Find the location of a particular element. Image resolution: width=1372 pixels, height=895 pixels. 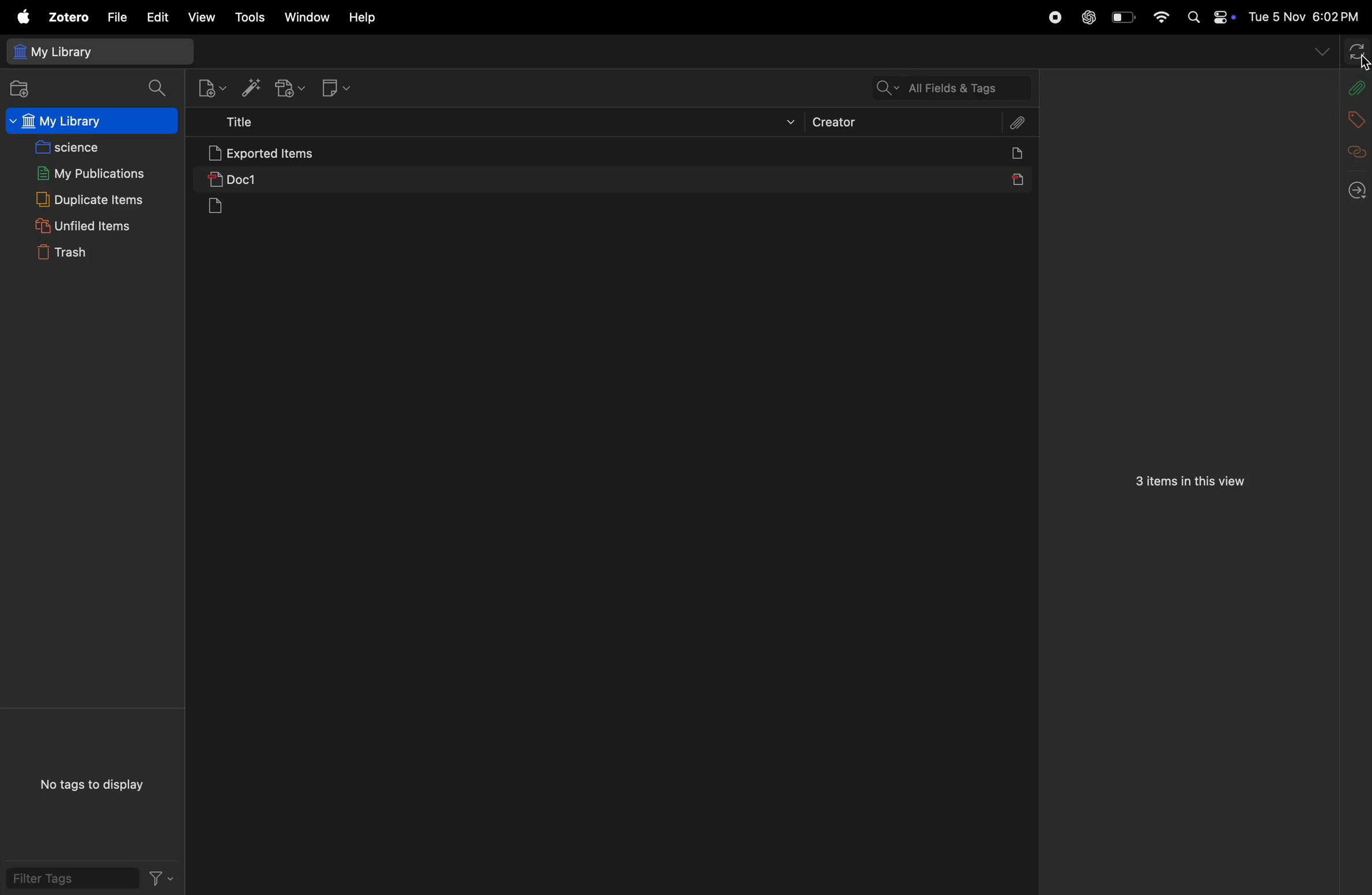

new note is located at coordinates (341, 87).